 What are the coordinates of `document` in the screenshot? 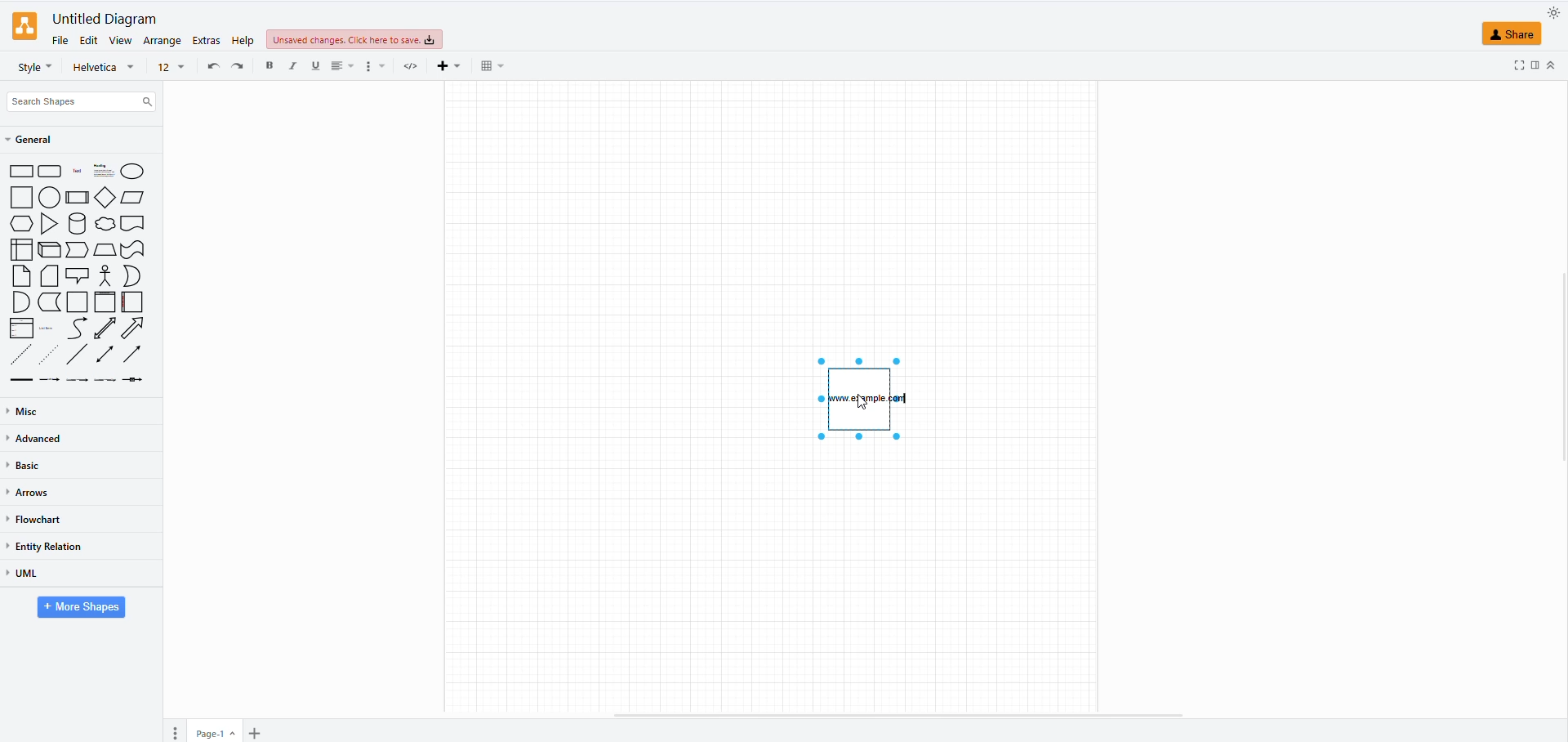 It's located at (134, 224).